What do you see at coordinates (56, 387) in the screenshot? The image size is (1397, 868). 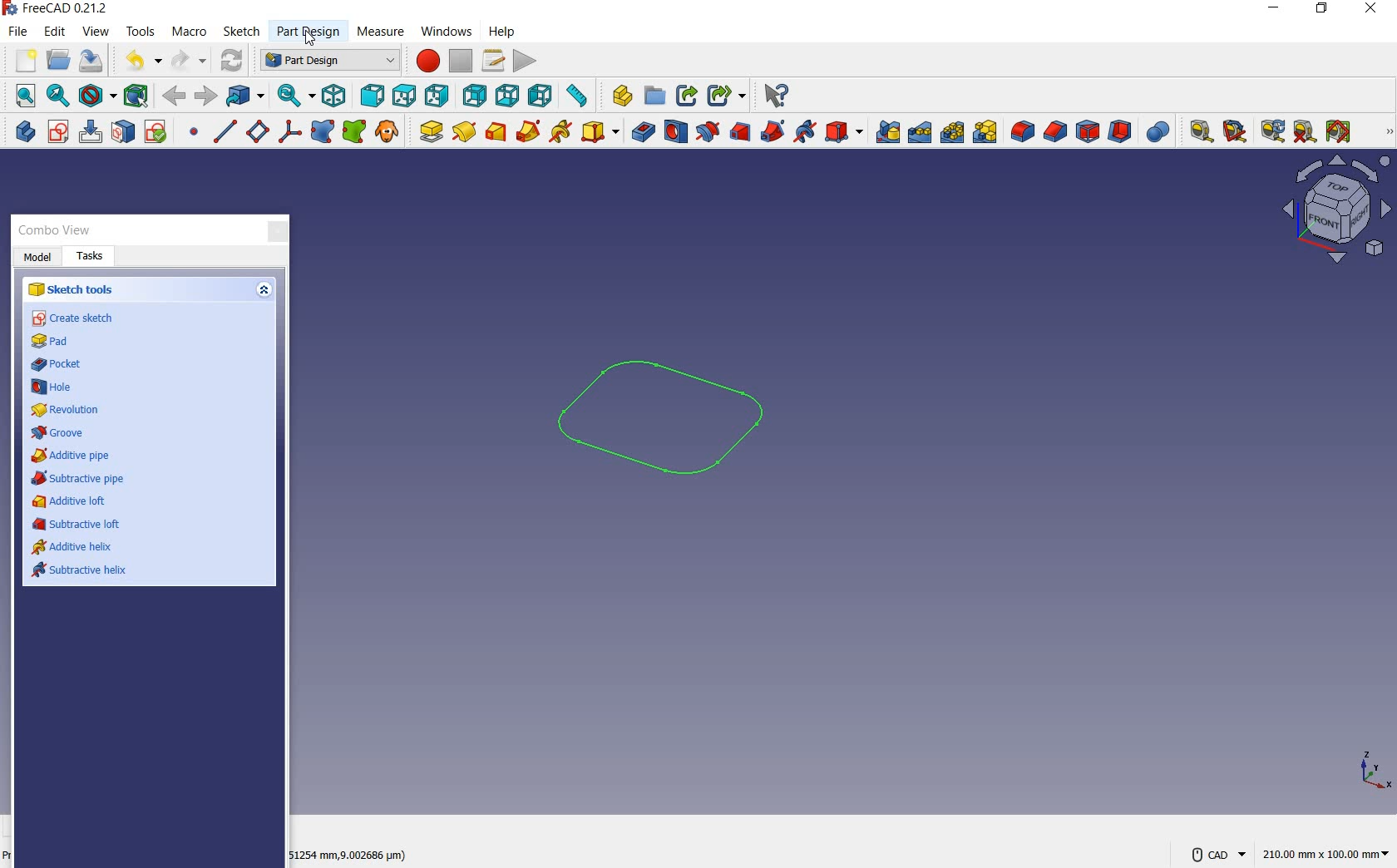 I see `hole` at bounding box center [56, 387].